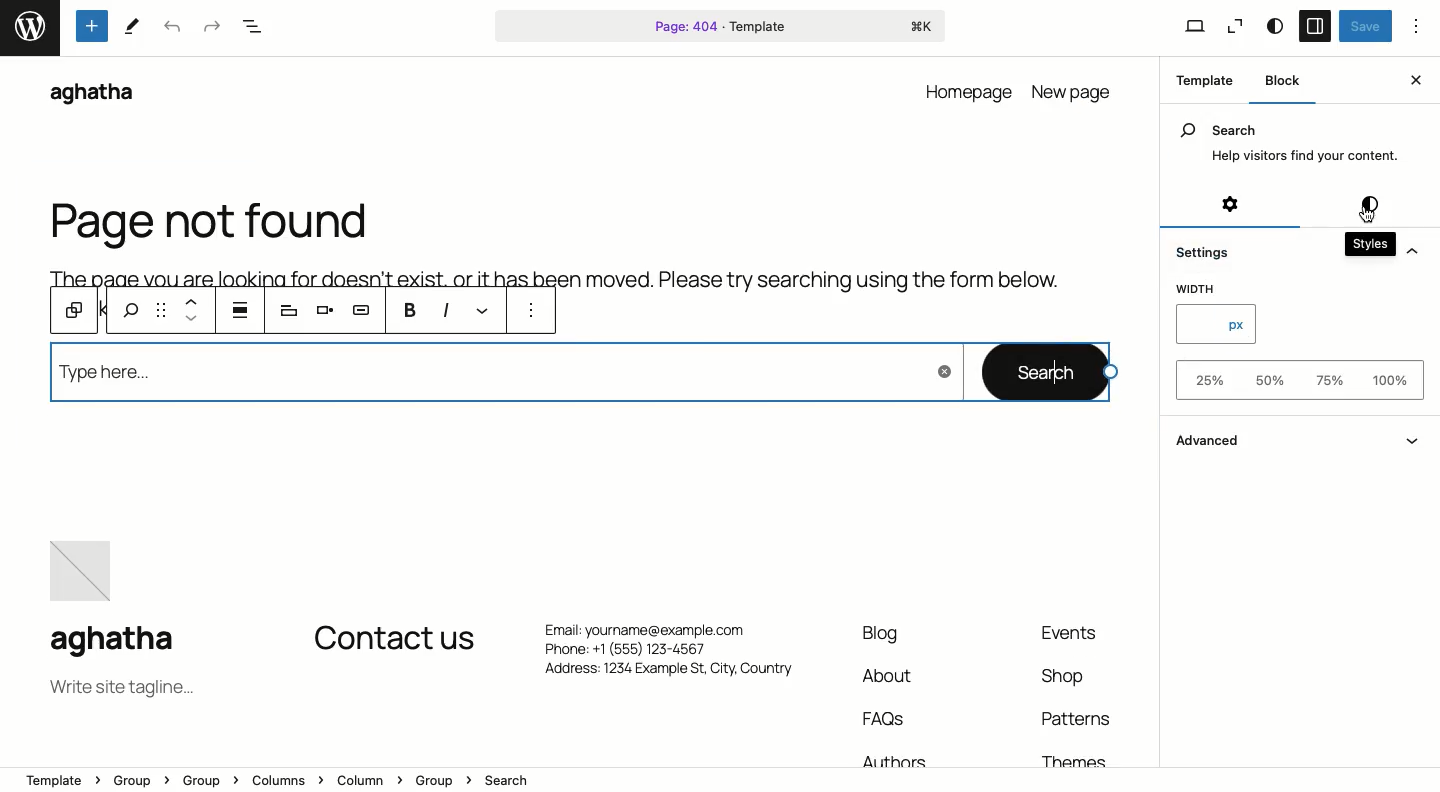 The image size is (1440, 792). Describe the element at coordinates (1234, 209) in the screenshot. I see `Settings` at that location.